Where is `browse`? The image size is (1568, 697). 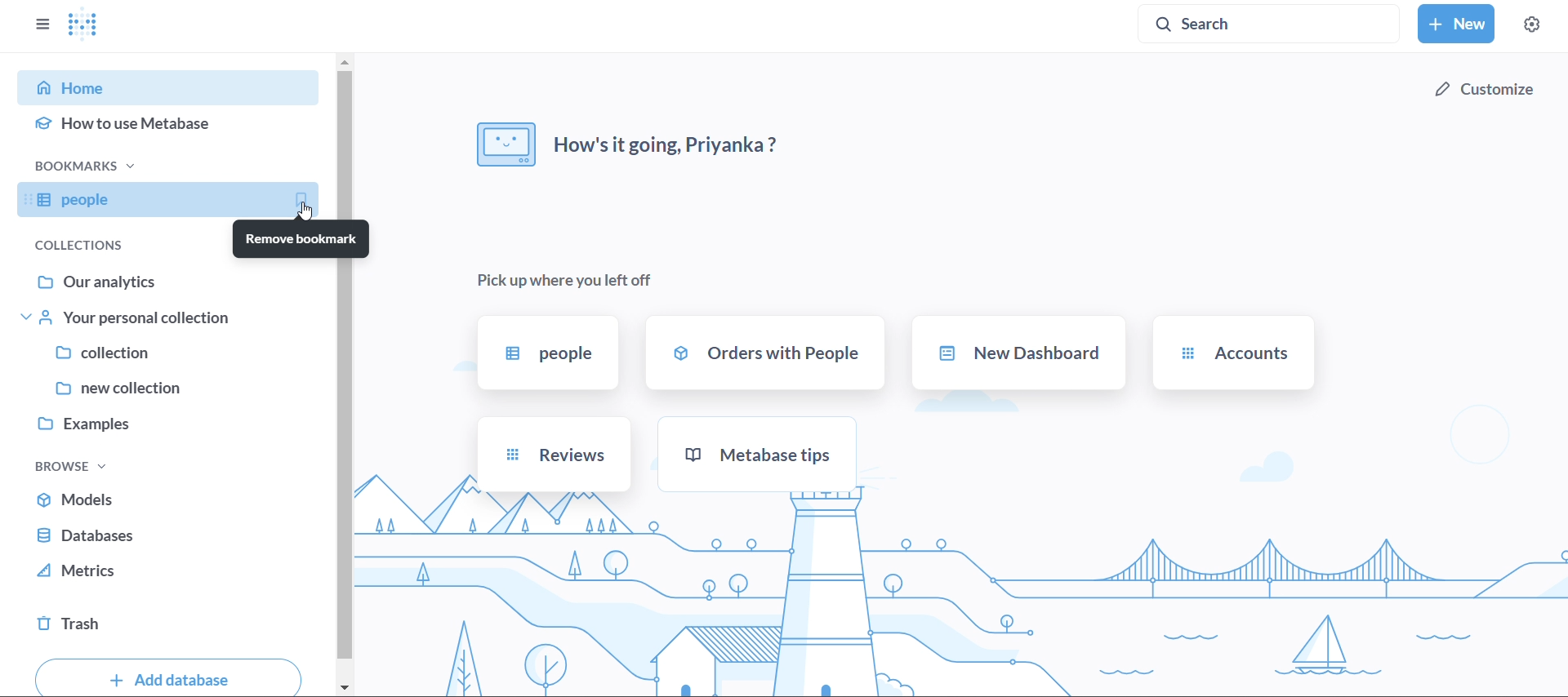 browse is located at coordinates (69, 464).